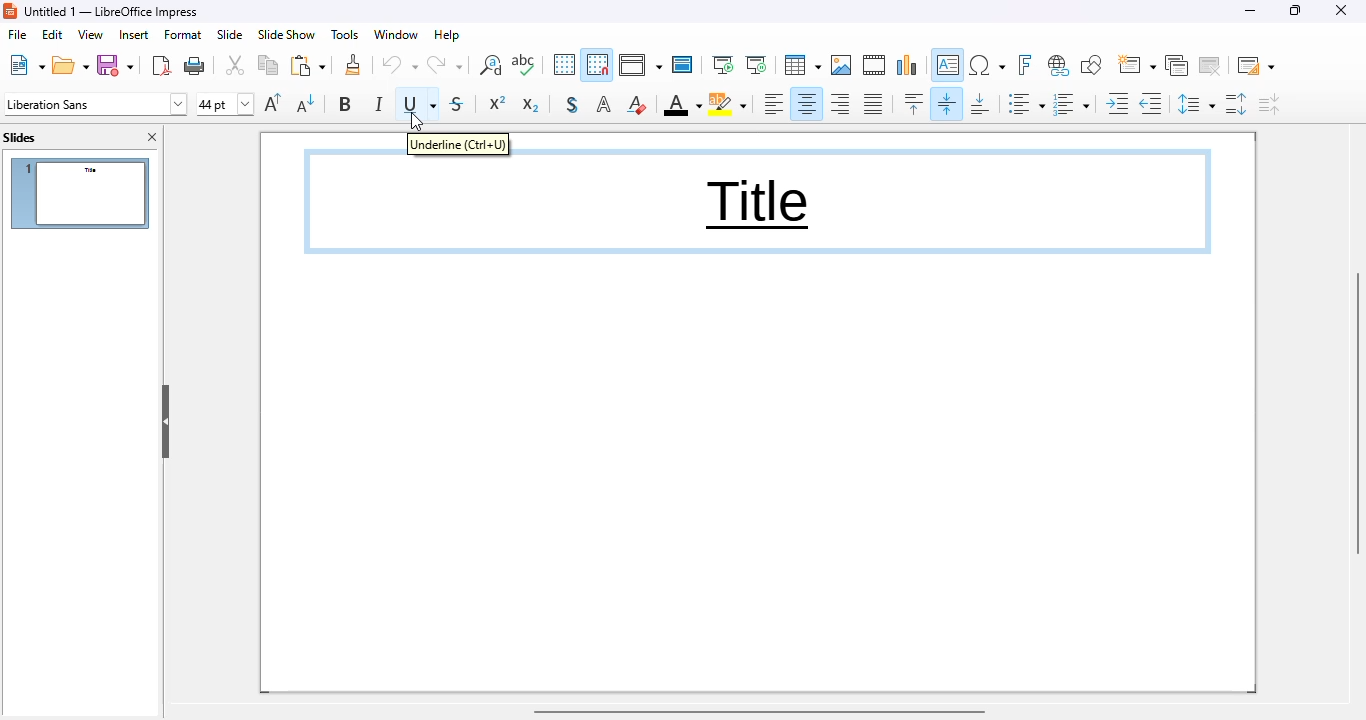  Describe the element at coordinates (773, 103) in the screenshot. I see `align left` at that location.